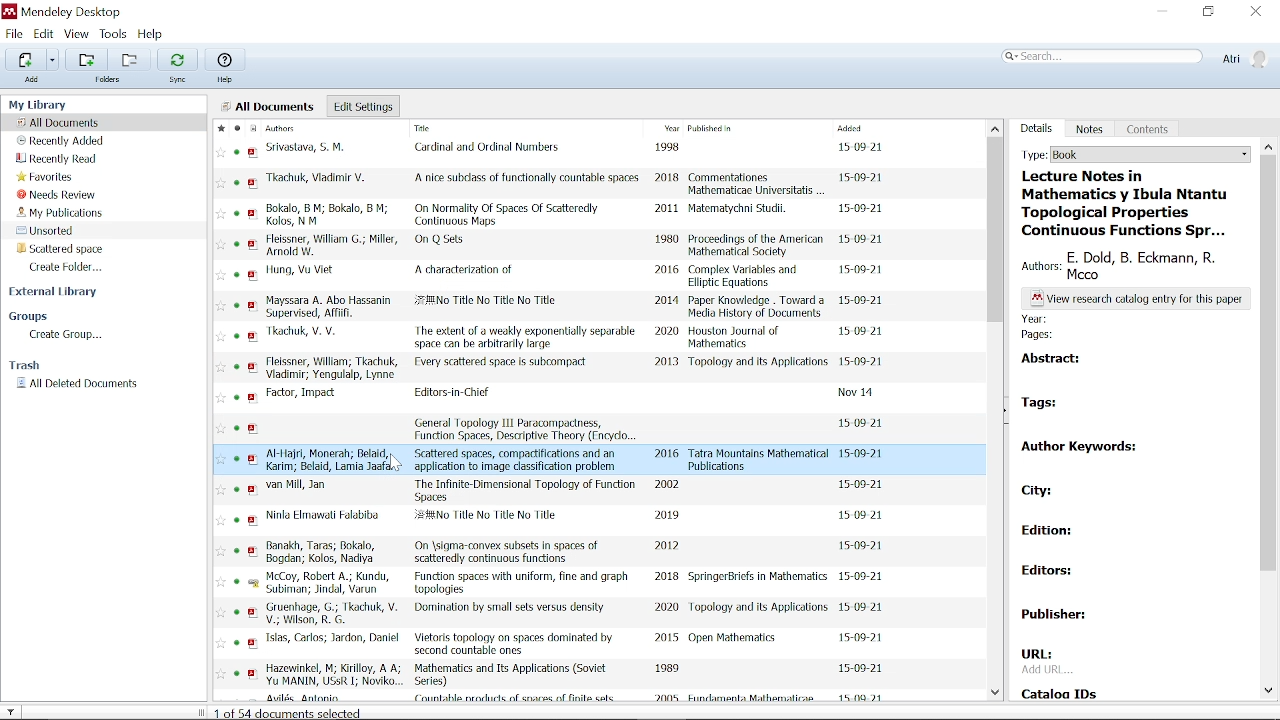 The width and height of the screenshot is (1280, 720). What do you see at coordinates (511, 675) in the screenshot?
I see `title` at bounding box center [511, 675].